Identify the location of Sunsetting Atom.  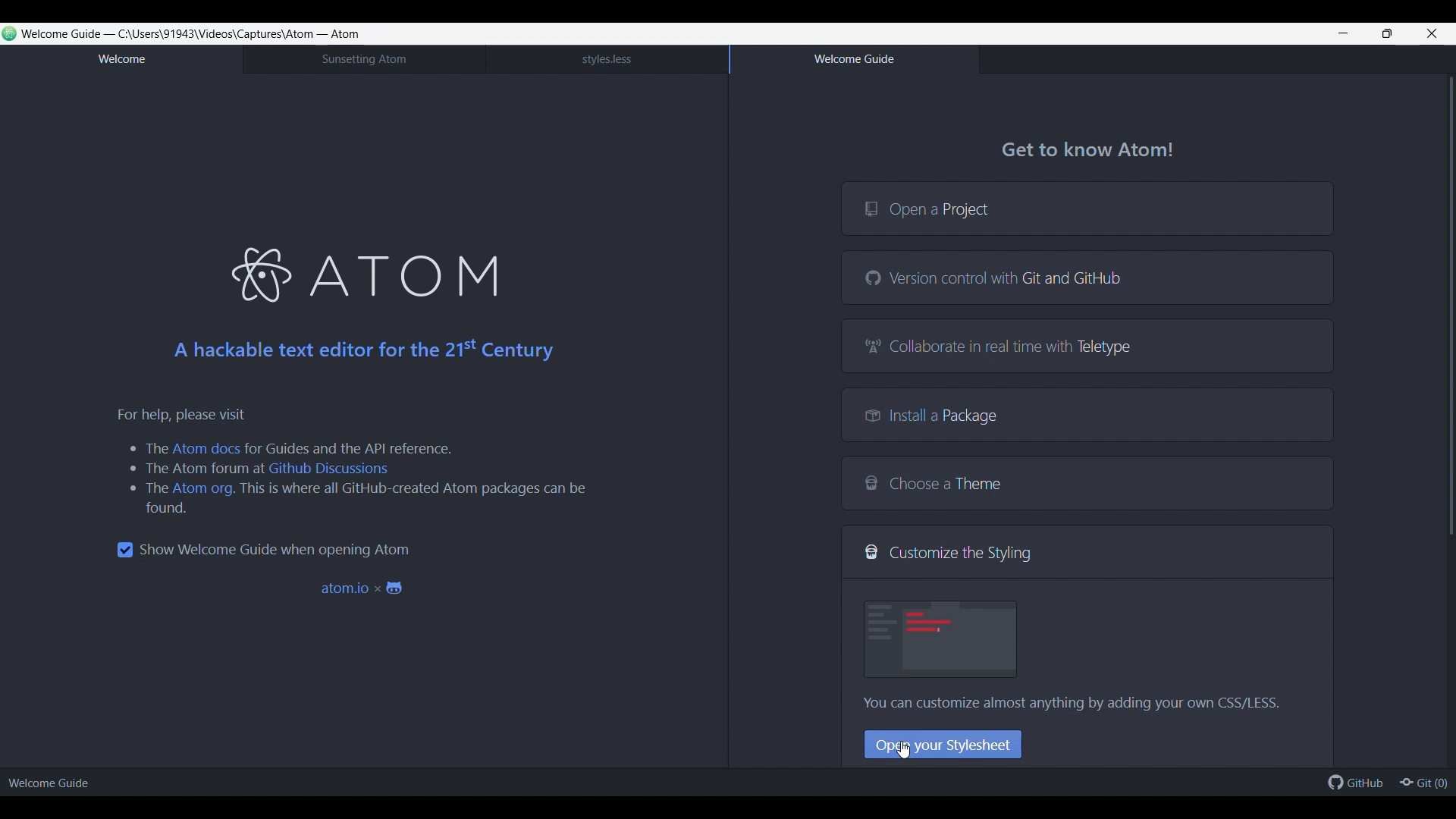
(362, 59).